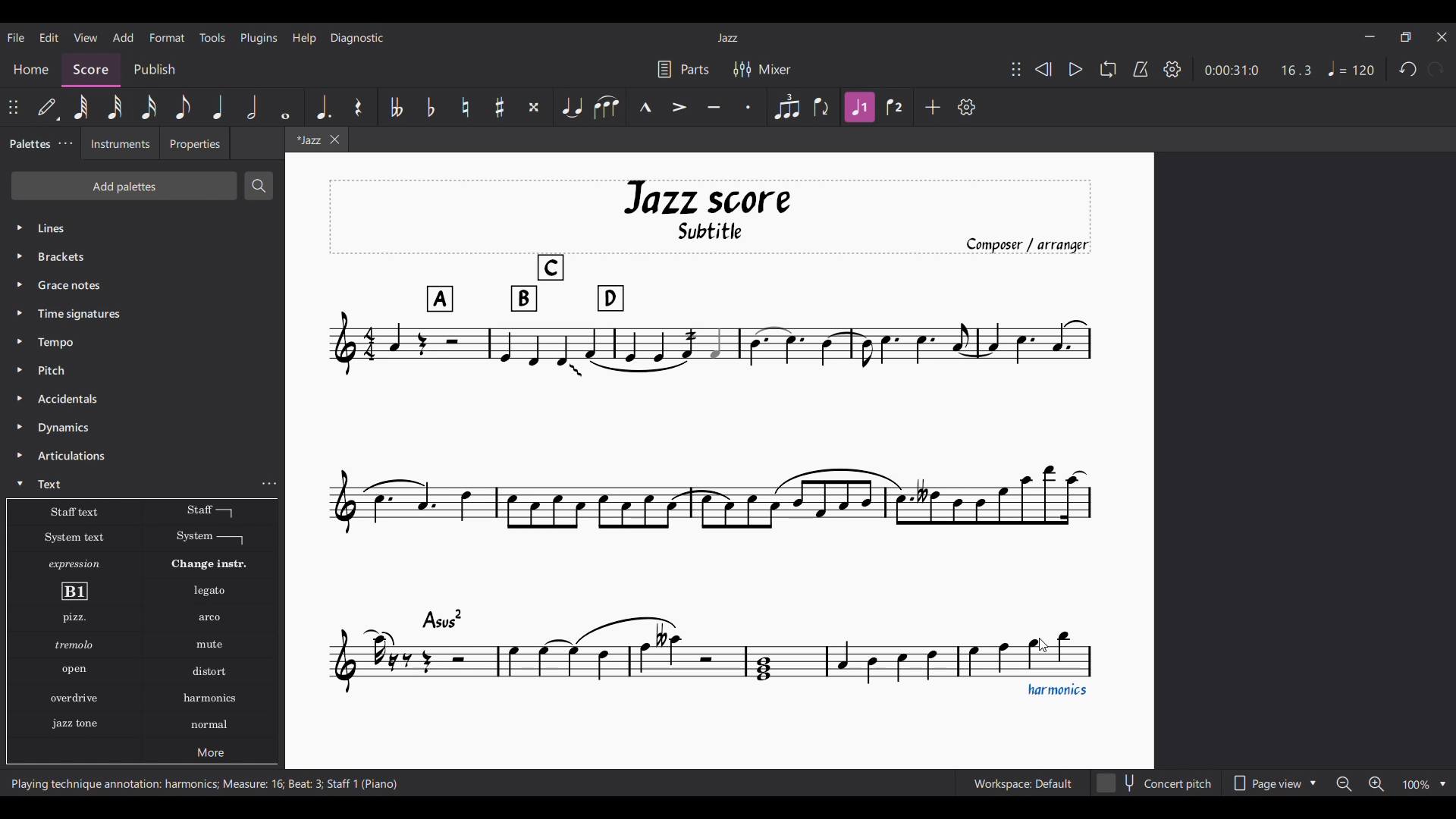  What do you see at coordinates (75, 700) in the screenshot?
I see `overdrive` at bounding box center [75, 700].